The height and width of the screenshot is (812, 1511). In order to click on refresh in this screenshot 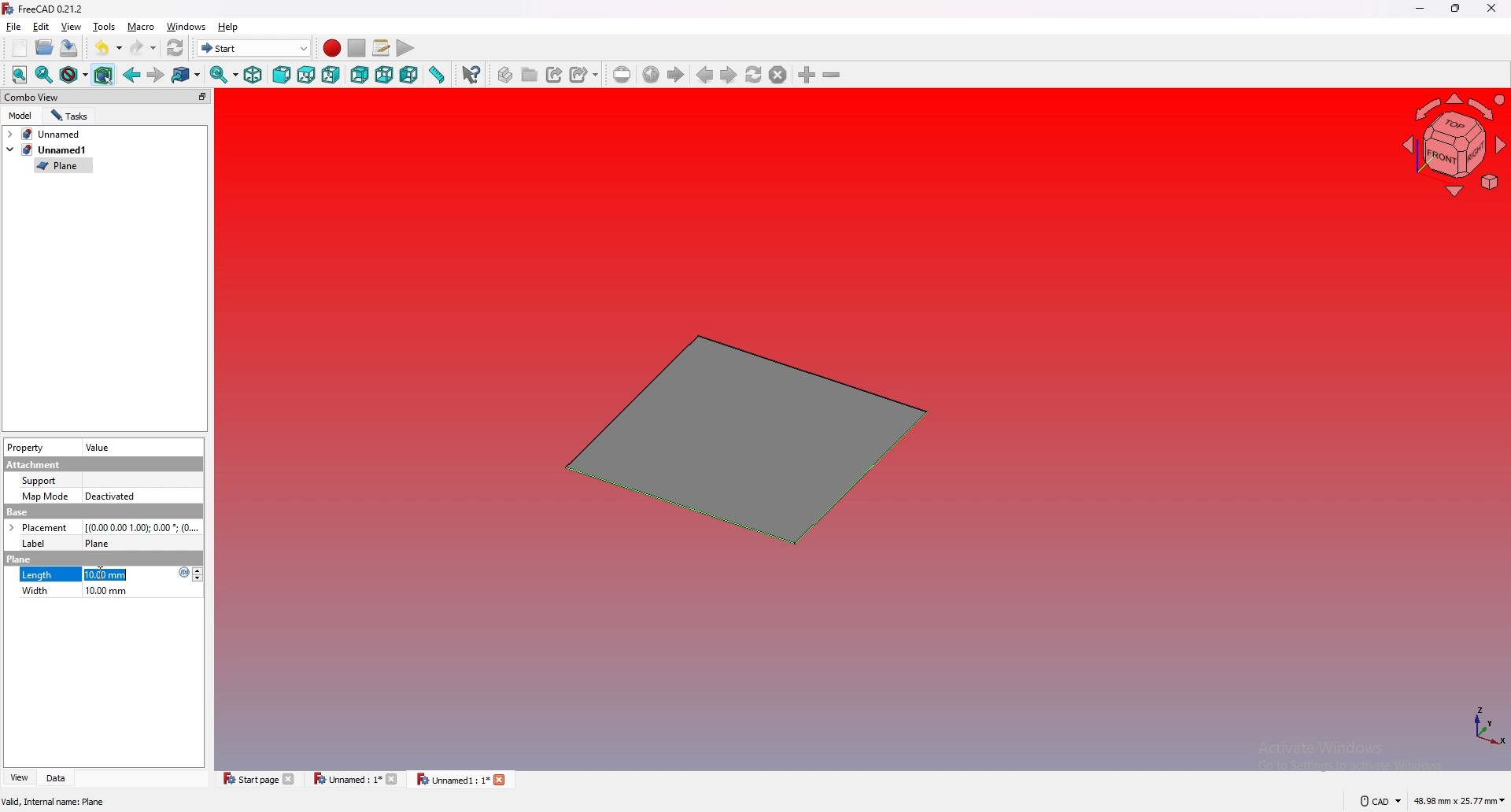, I will do `click(176, 49)`.